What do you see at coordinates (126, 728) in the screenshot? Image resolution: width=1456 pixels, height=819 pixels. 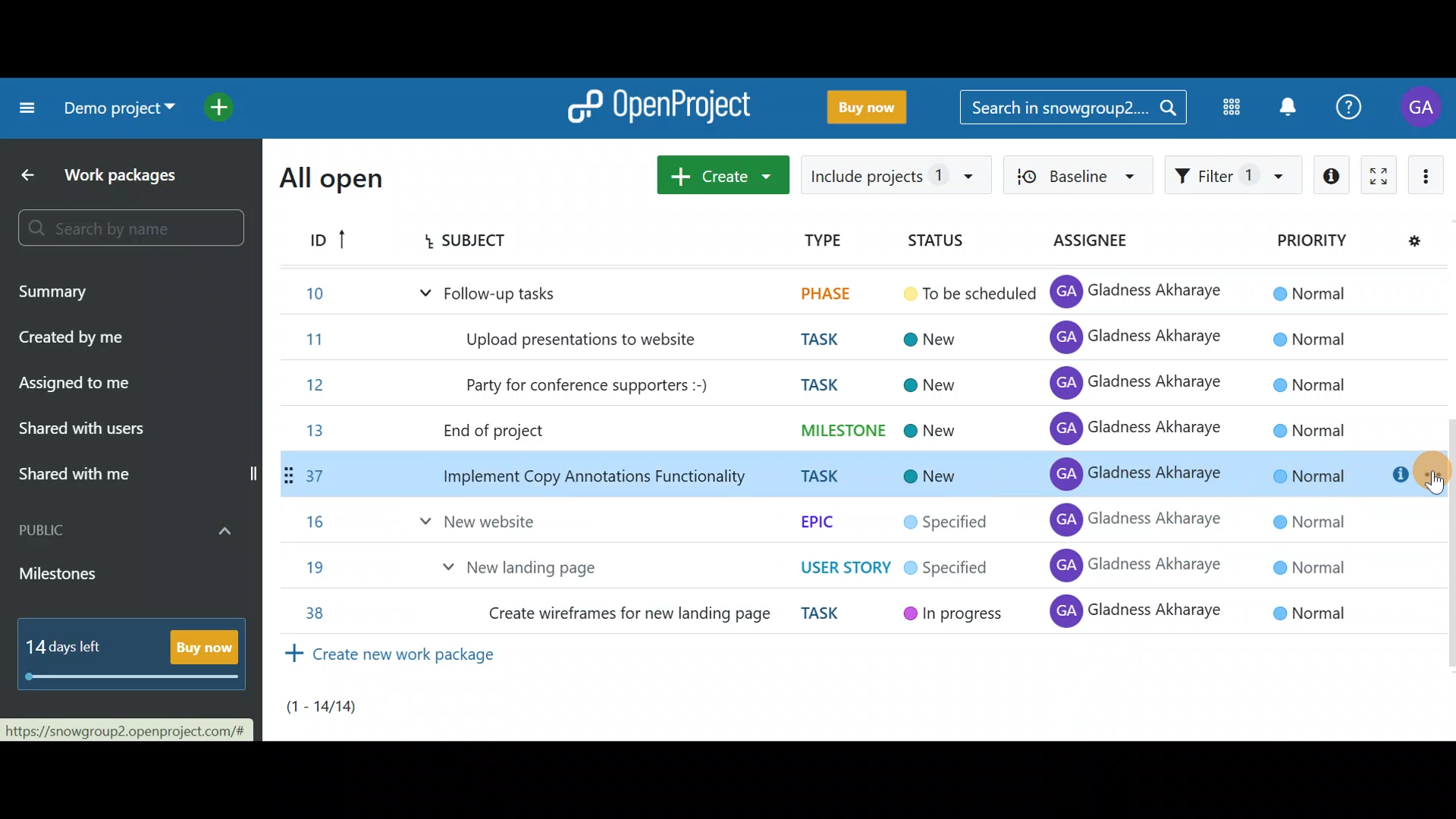 I see `https://snowgroup2.openproject.com/#` at bounding box center [126, 728].